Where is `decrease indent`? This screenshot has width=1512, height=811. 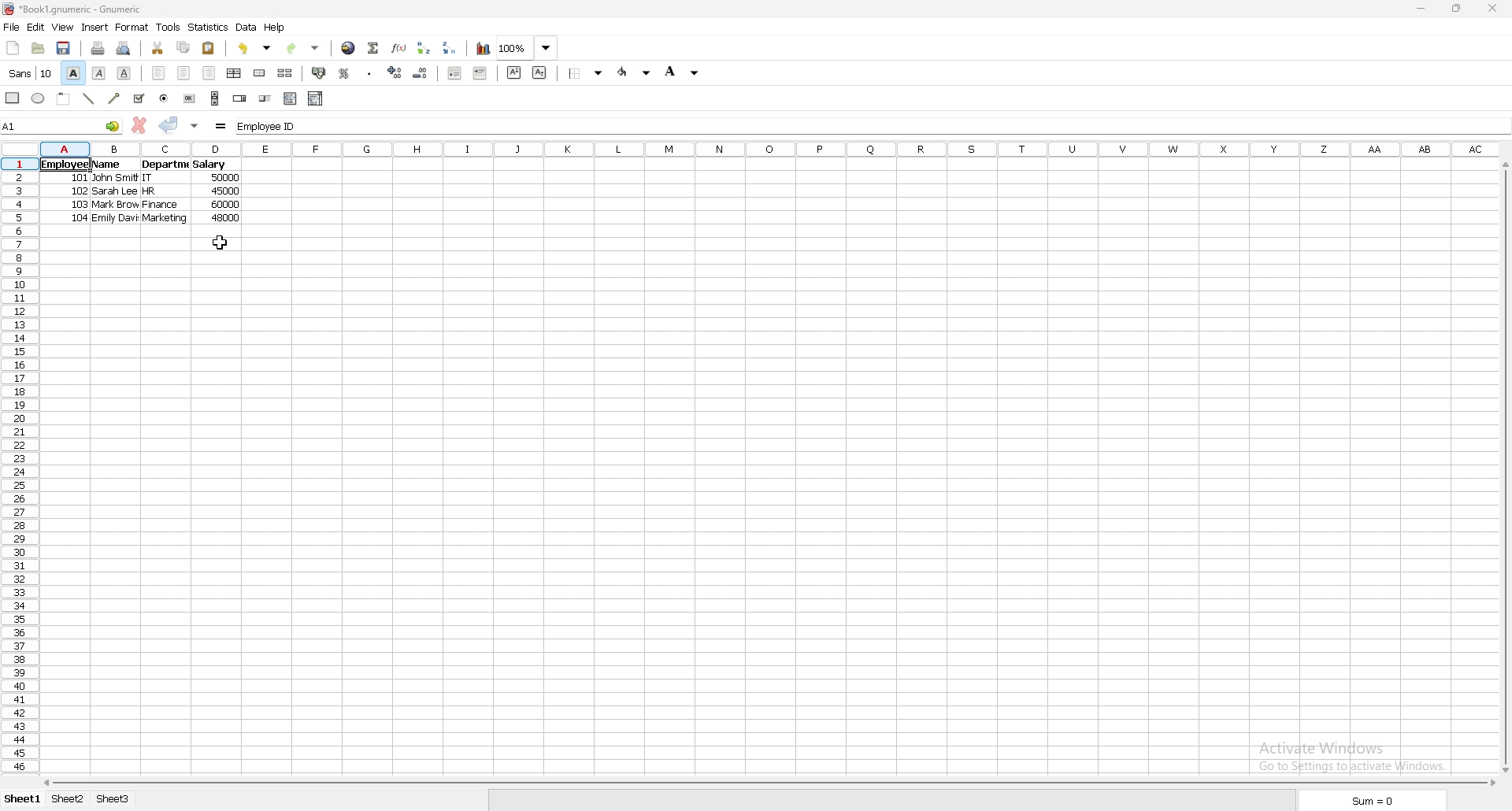
decrease indent is located at coordinates (454, 72).